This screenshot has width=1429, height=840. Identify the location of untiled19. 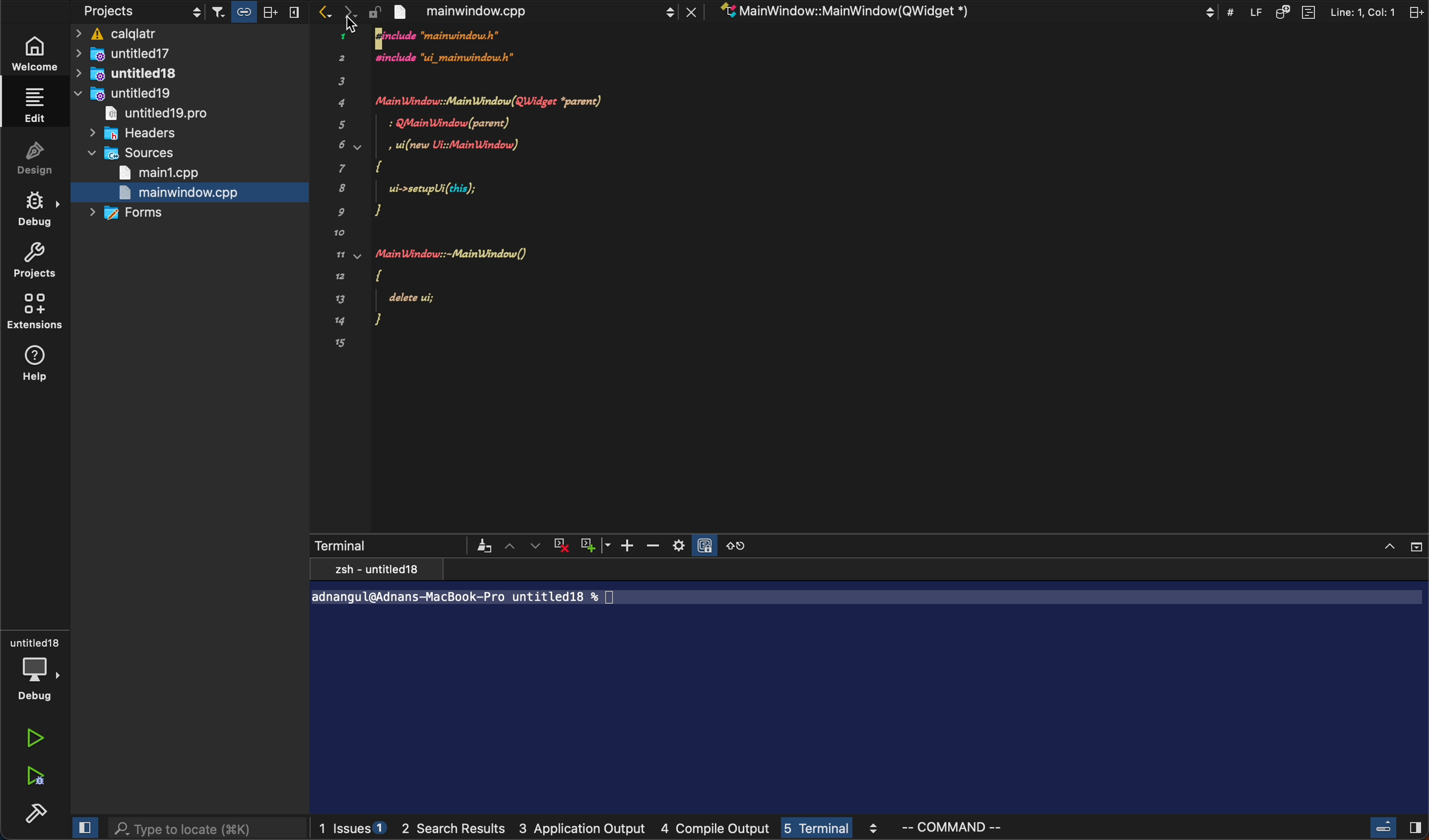
(129, 94).